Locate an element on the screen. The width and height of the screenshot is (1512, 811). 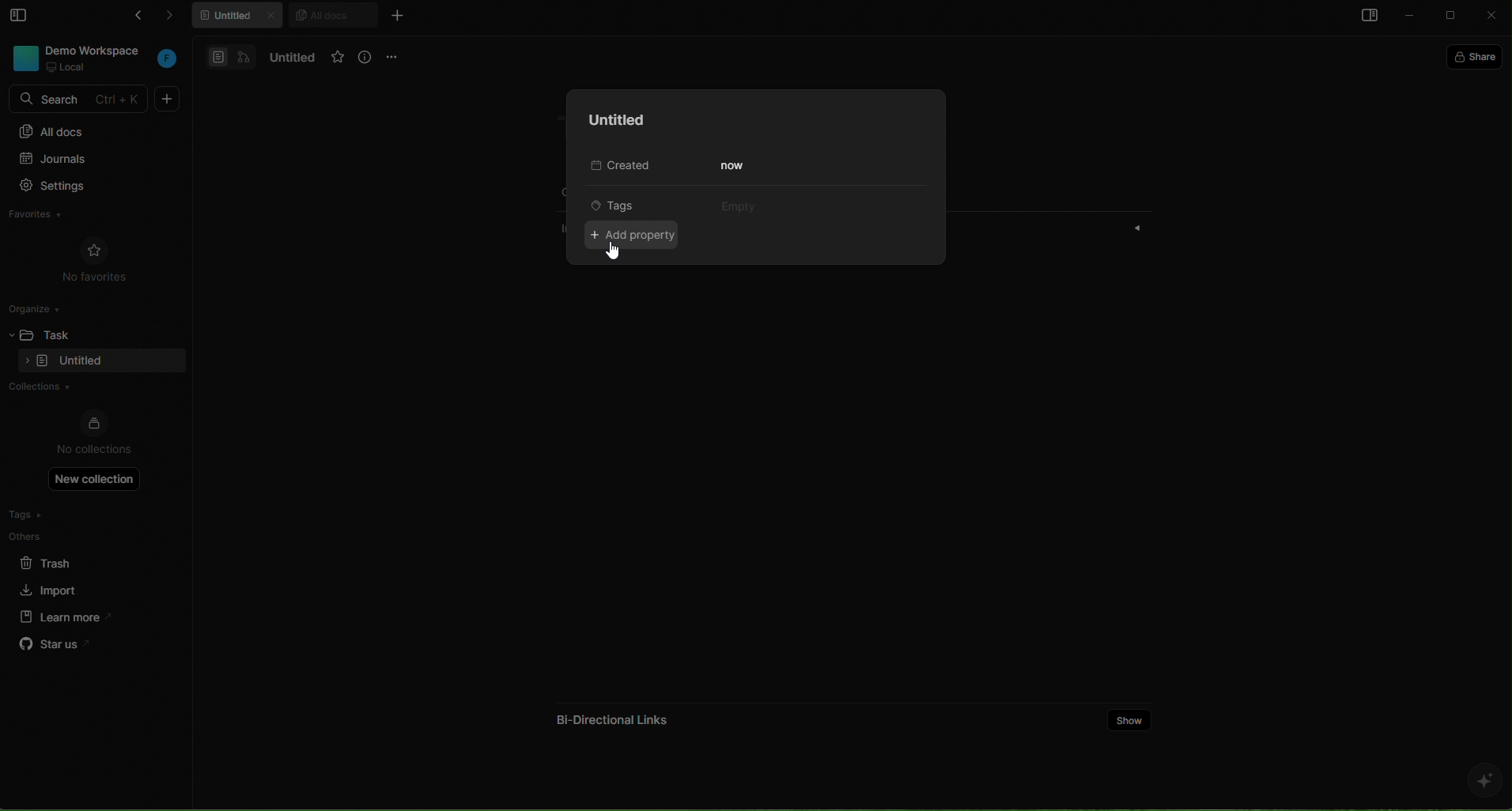
DEMO WORKSPACE is located at coordinates (97, 50).